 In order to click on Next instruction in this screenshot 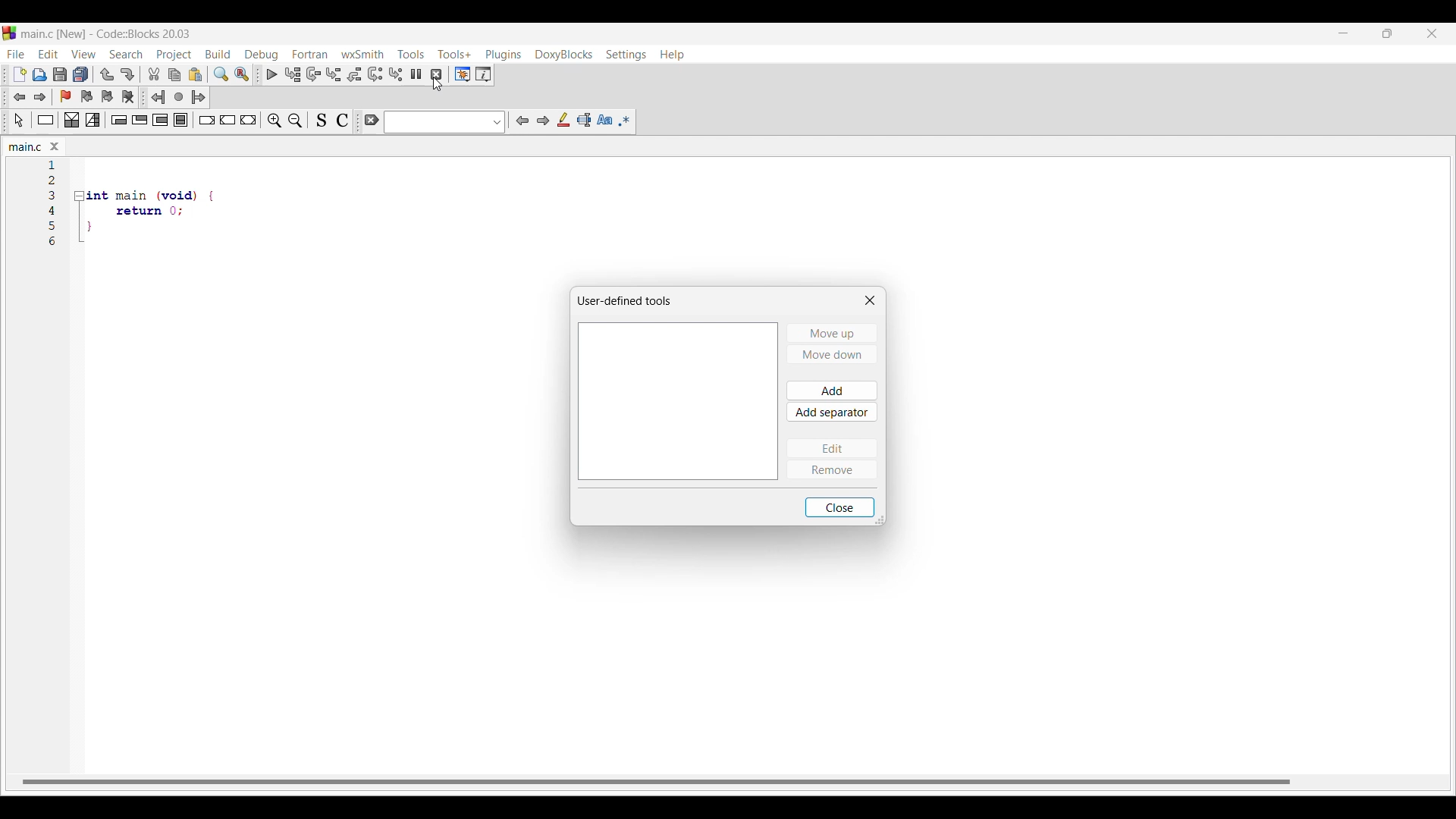, I will do `click(375, 74)`.